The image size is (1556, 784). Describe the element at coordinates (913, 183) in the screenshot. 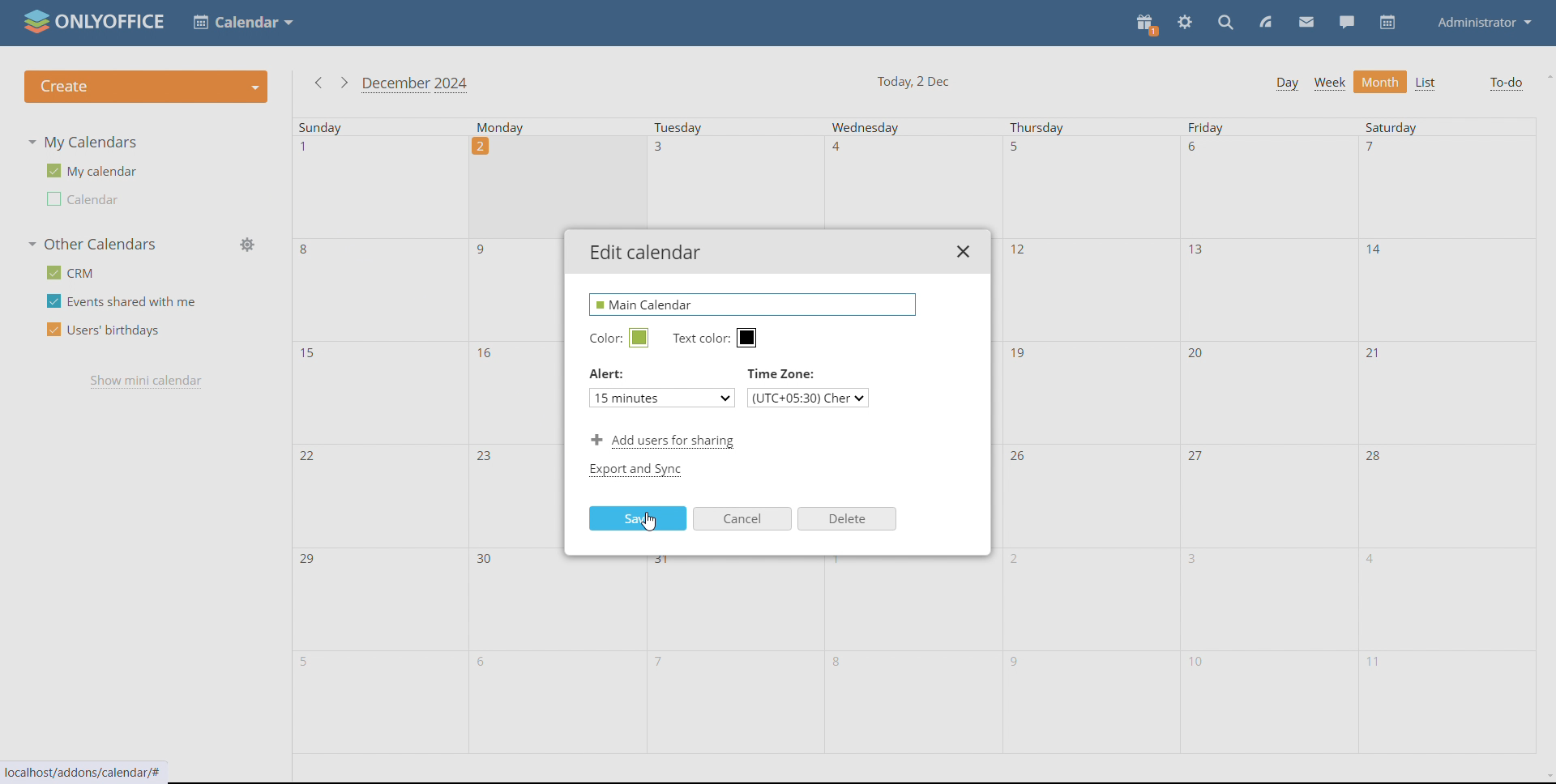

I see `` at that location.